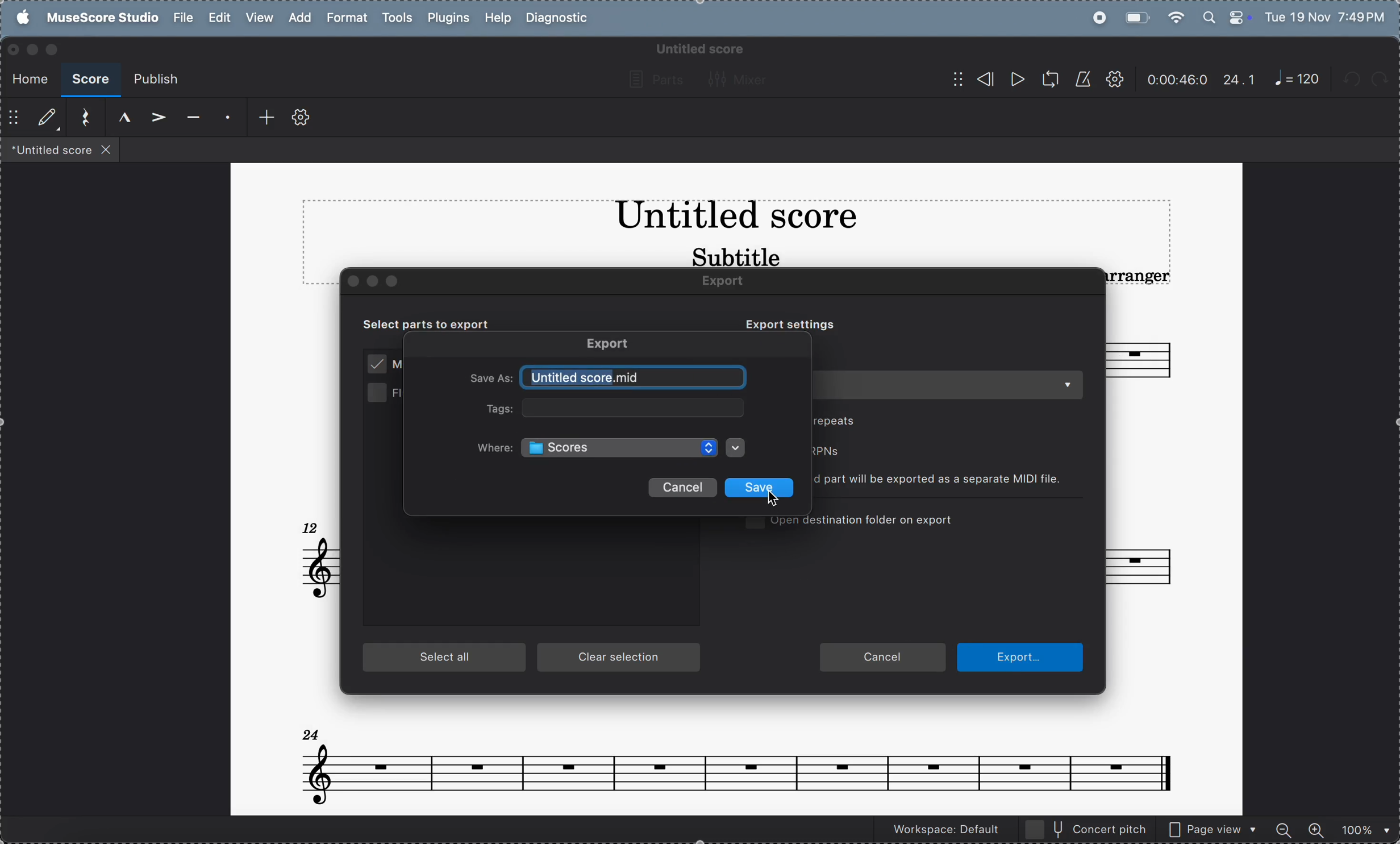  Describe the element at coordinates (346, 18) in the screenshot. I see `format` at that location.